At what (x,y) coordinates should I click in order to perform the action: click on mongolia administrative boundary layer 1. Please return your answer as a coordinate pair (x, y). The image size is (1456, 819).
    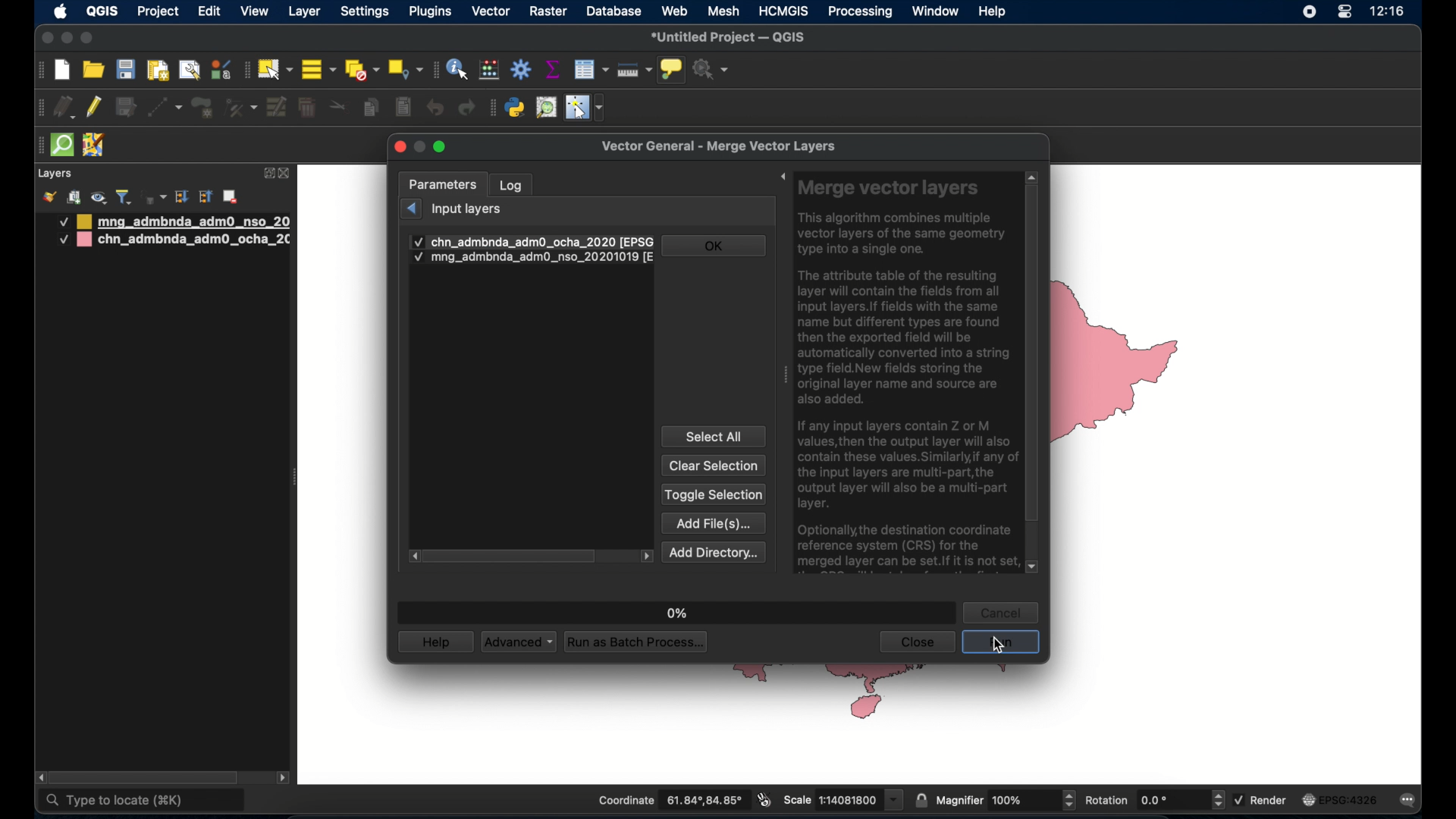
    Looking at the image, I should click on (172, 221).